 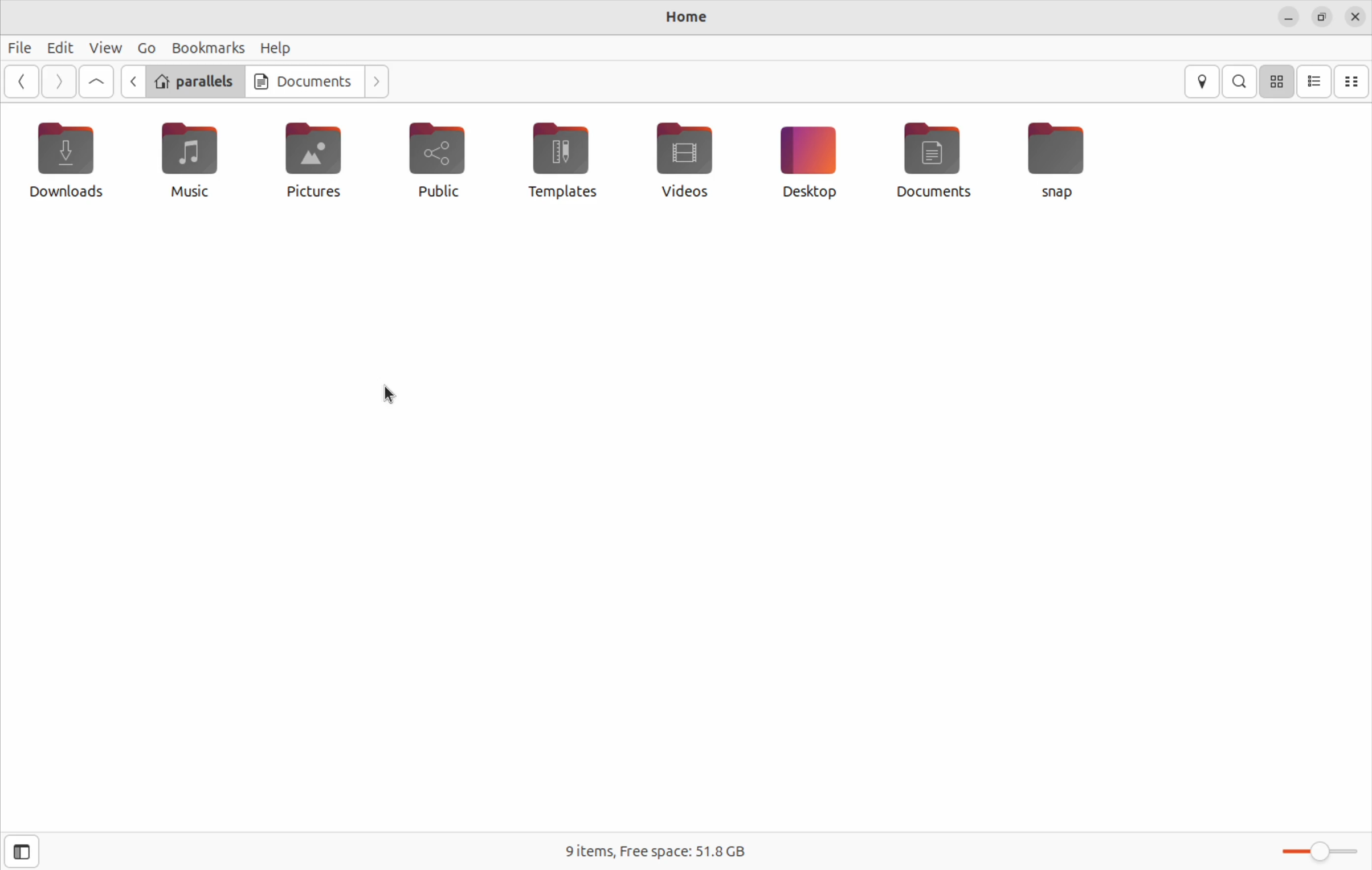 What do you see at coordinates (690, 18) in the screenshot?
I see `home` at bounding box center [690, 18].